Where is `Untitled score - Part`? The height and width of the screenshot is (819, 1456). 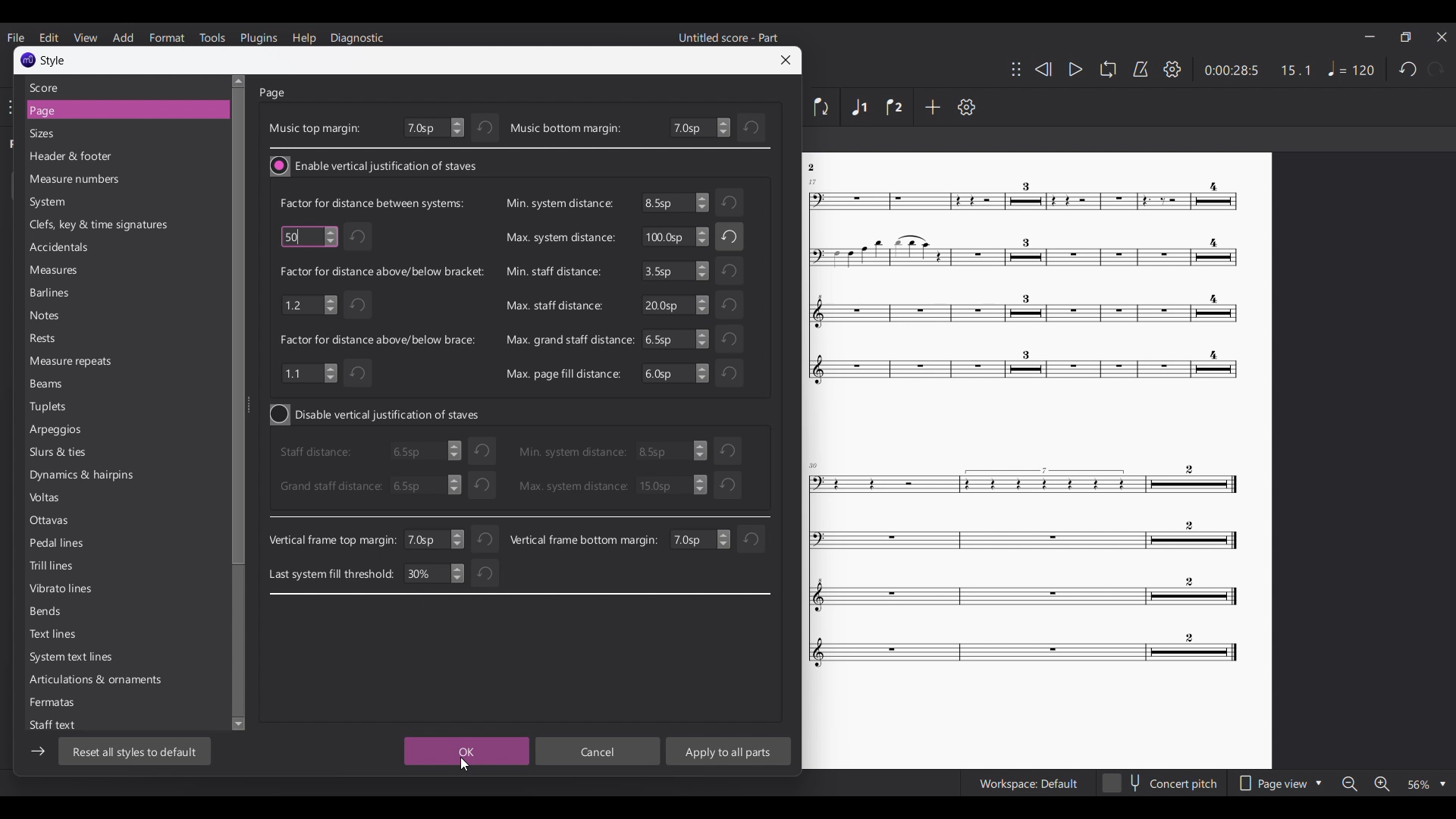
Untitled score - Part is located at coordinates (730, 37).